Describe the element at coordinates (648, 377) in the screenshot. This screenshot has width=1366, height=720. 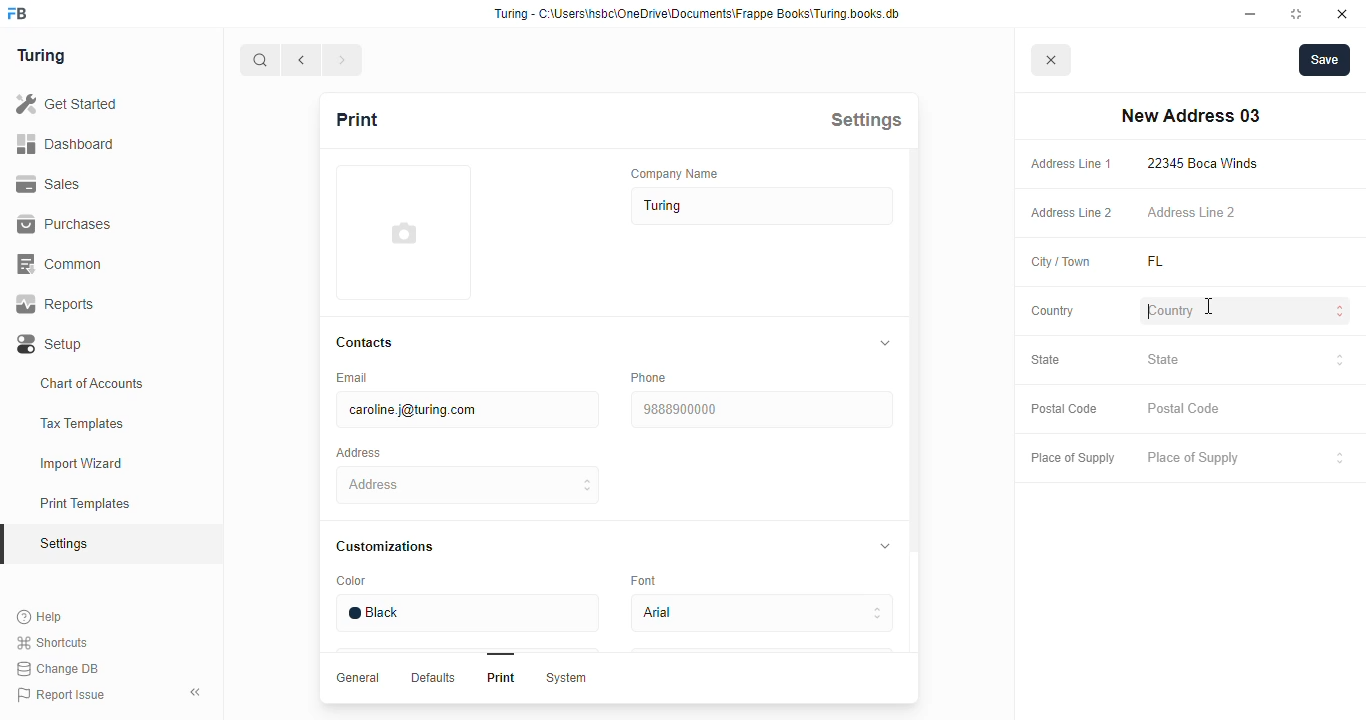
I see `phone` at that location.